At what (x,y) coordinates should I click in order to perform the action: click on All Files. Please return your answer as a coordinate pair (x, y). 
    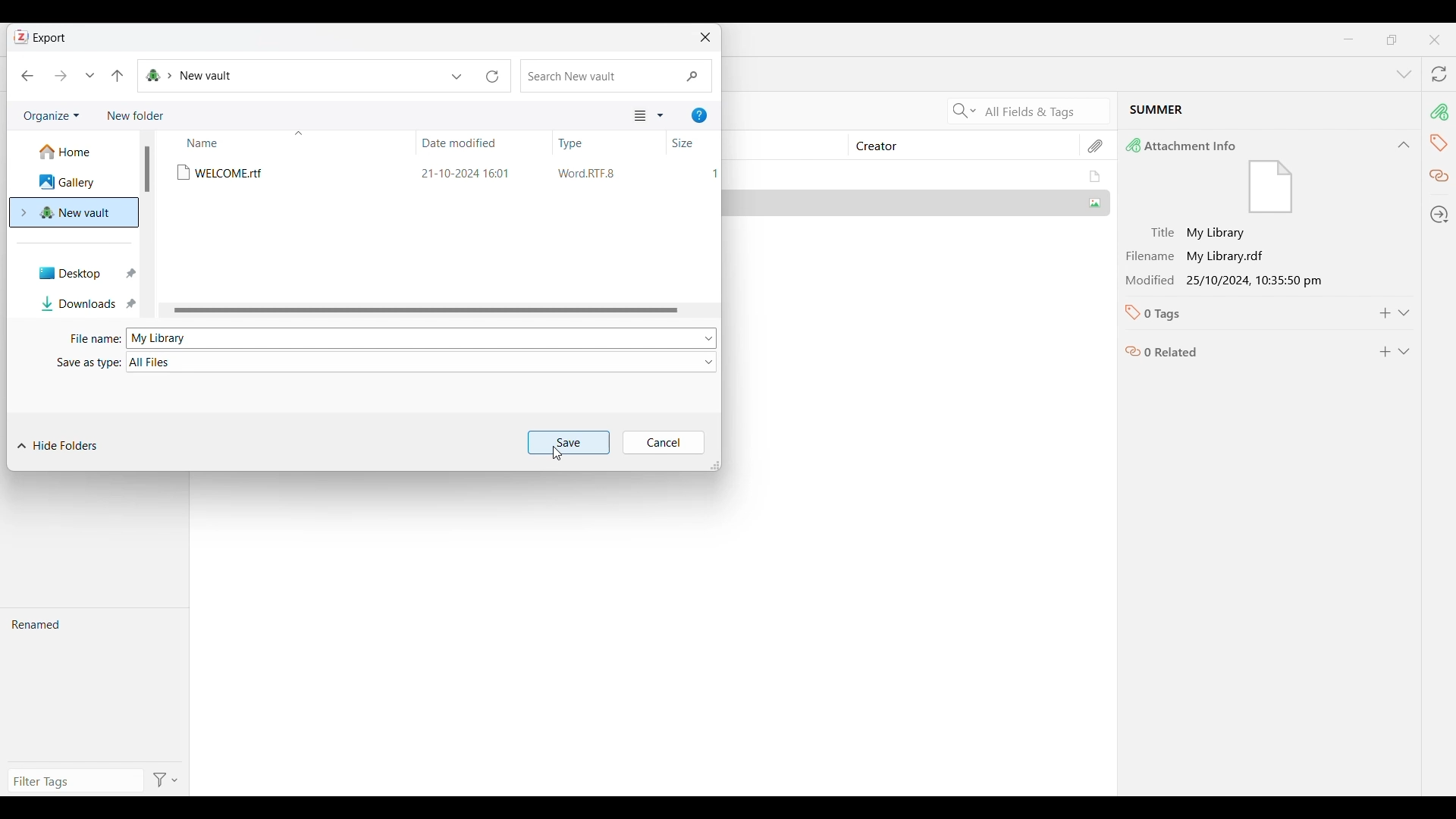
    Looking at the image, I should click on (420, 362).